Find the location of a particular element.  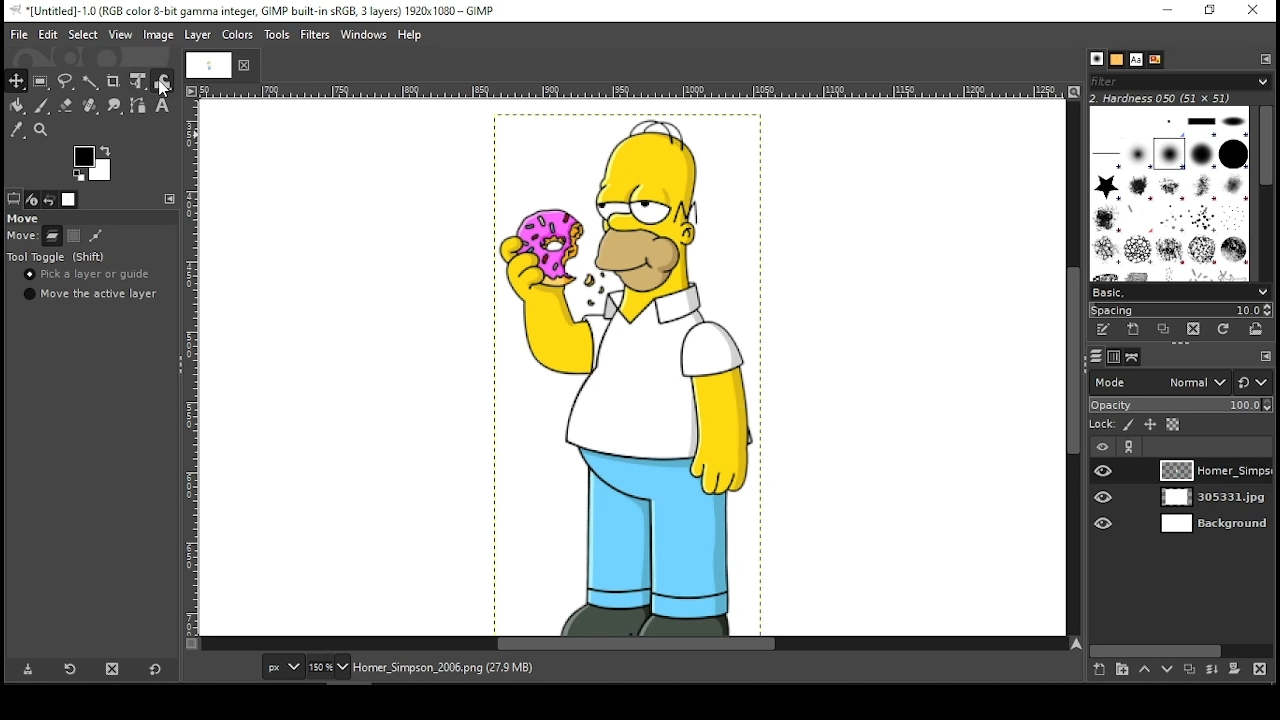

create a new layer group is located at coordinates (1124, 671).